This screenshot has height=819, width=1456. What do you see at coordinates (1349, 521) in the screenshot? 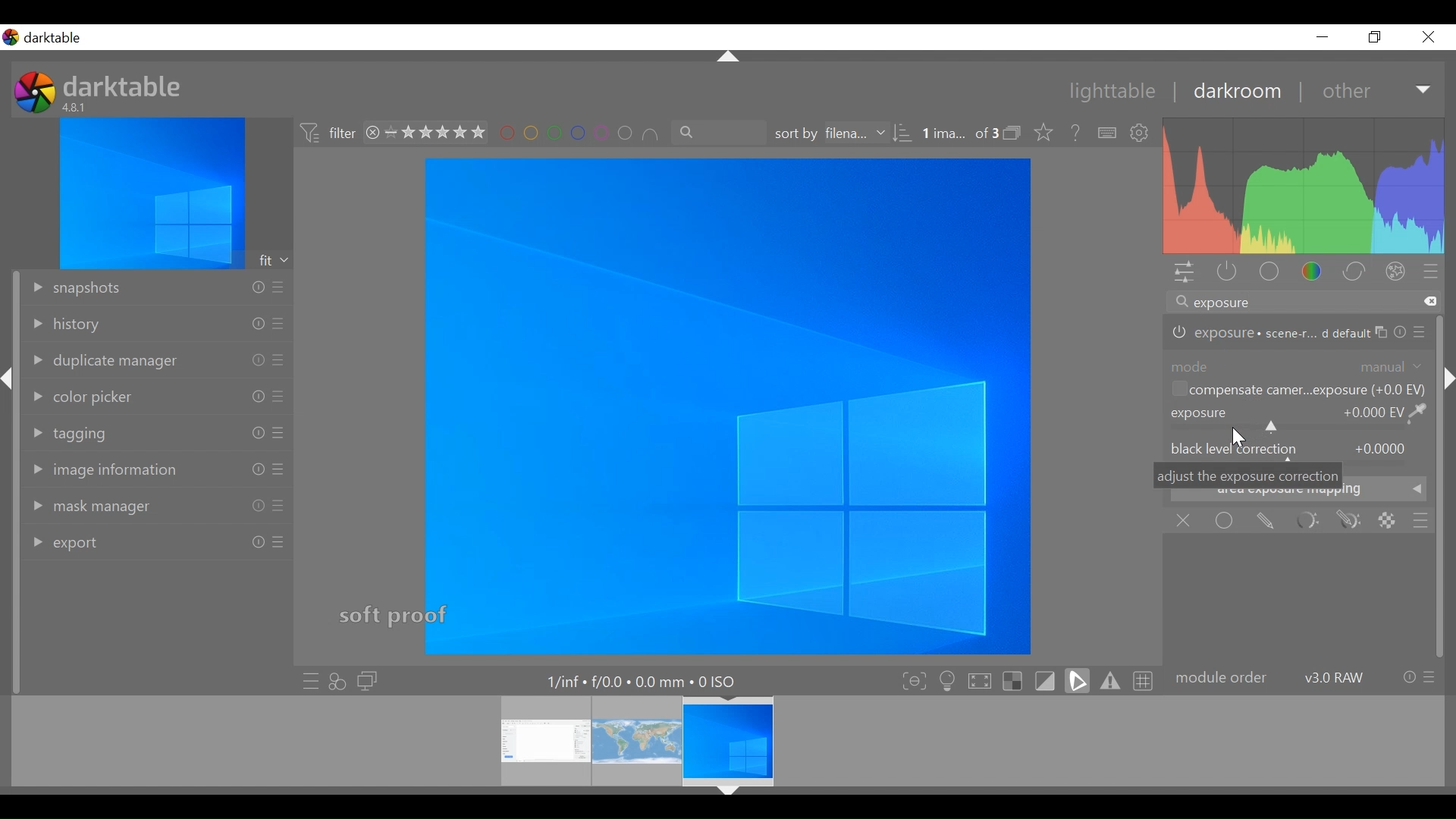
I see `drawn and parametric mask` at bounding box center [1349, 521].